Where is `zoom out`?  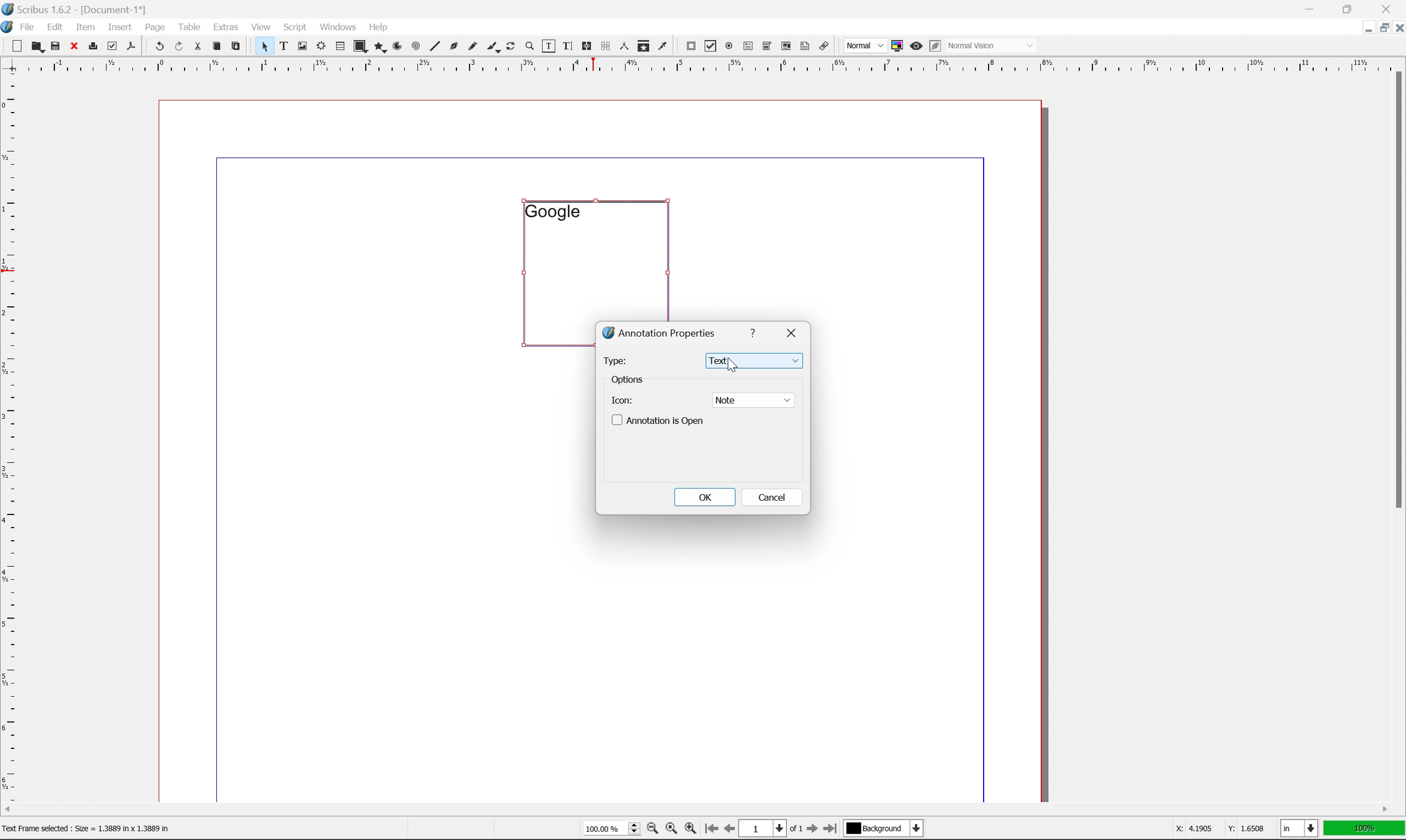 zoom out is located at coordinates (649, 830).